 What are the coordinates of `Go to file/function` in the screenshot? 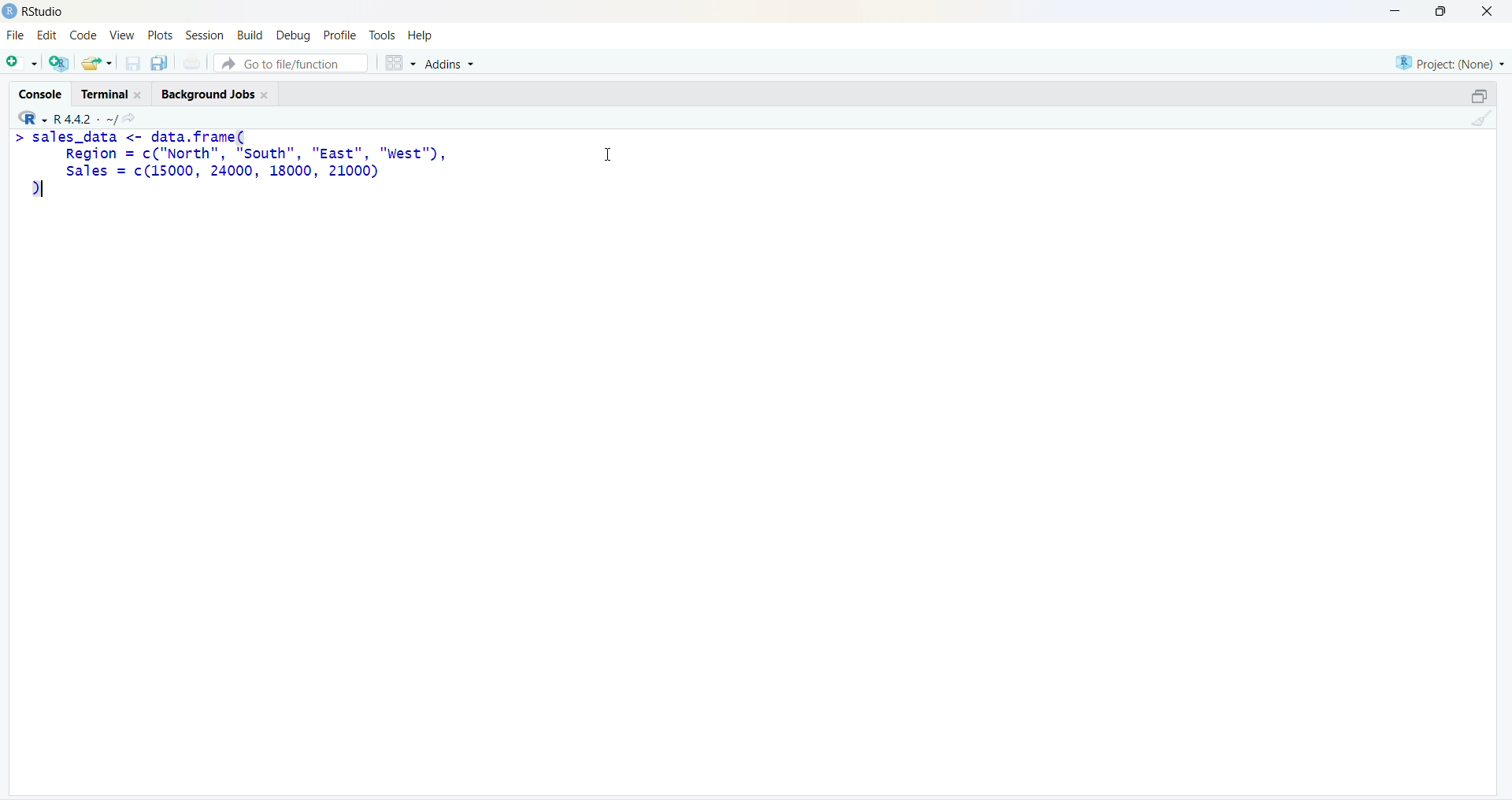 It's located at (290, 61).